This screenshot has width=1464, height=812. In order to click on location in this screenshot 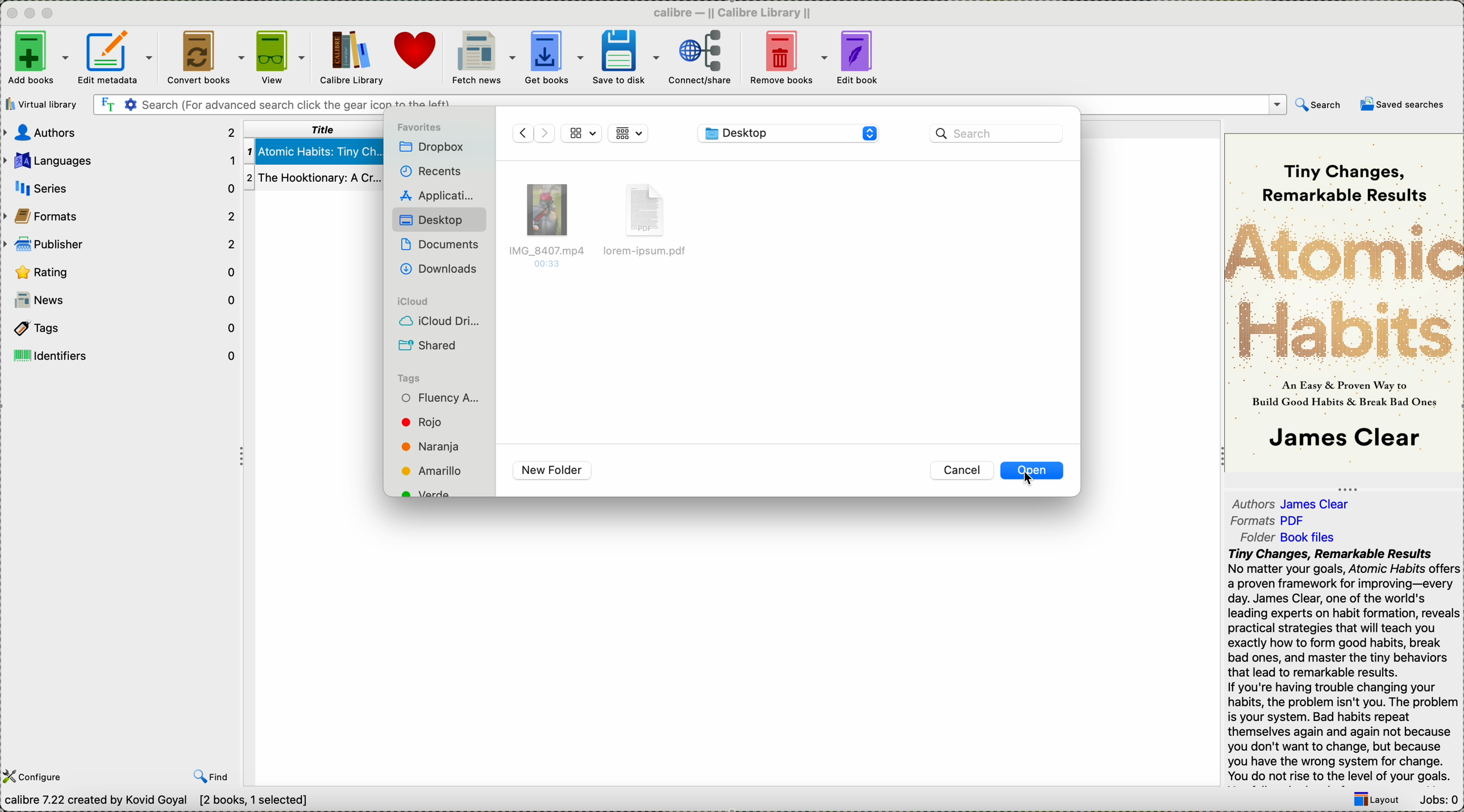, I will do `click(789, 134)`.